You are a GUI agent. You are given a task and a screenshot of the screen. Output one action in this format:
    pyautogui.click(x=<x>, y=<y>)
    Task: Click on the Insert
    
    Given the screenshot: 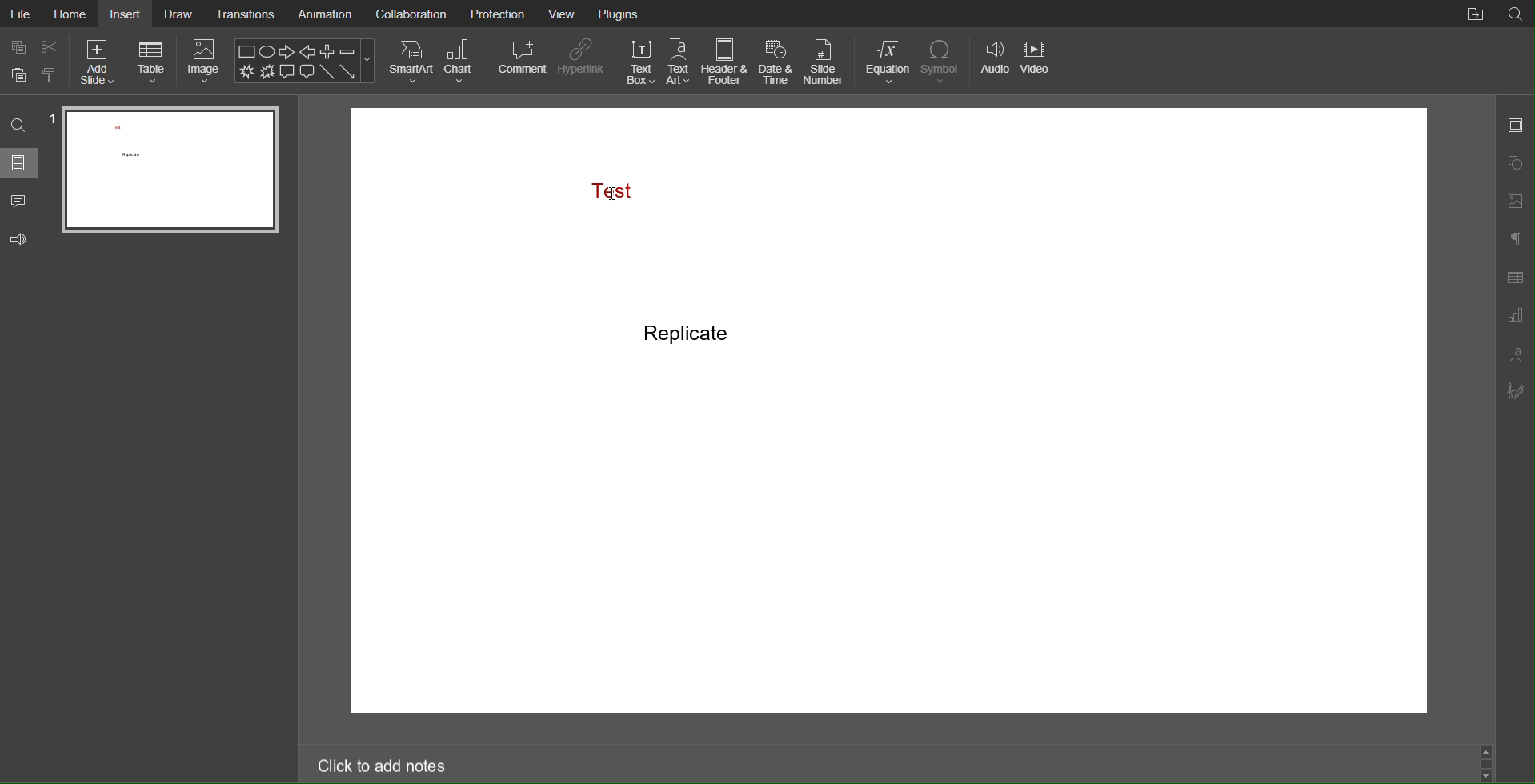 What is the action you would take?
    pyautogui.click(x=128, y=14)
    